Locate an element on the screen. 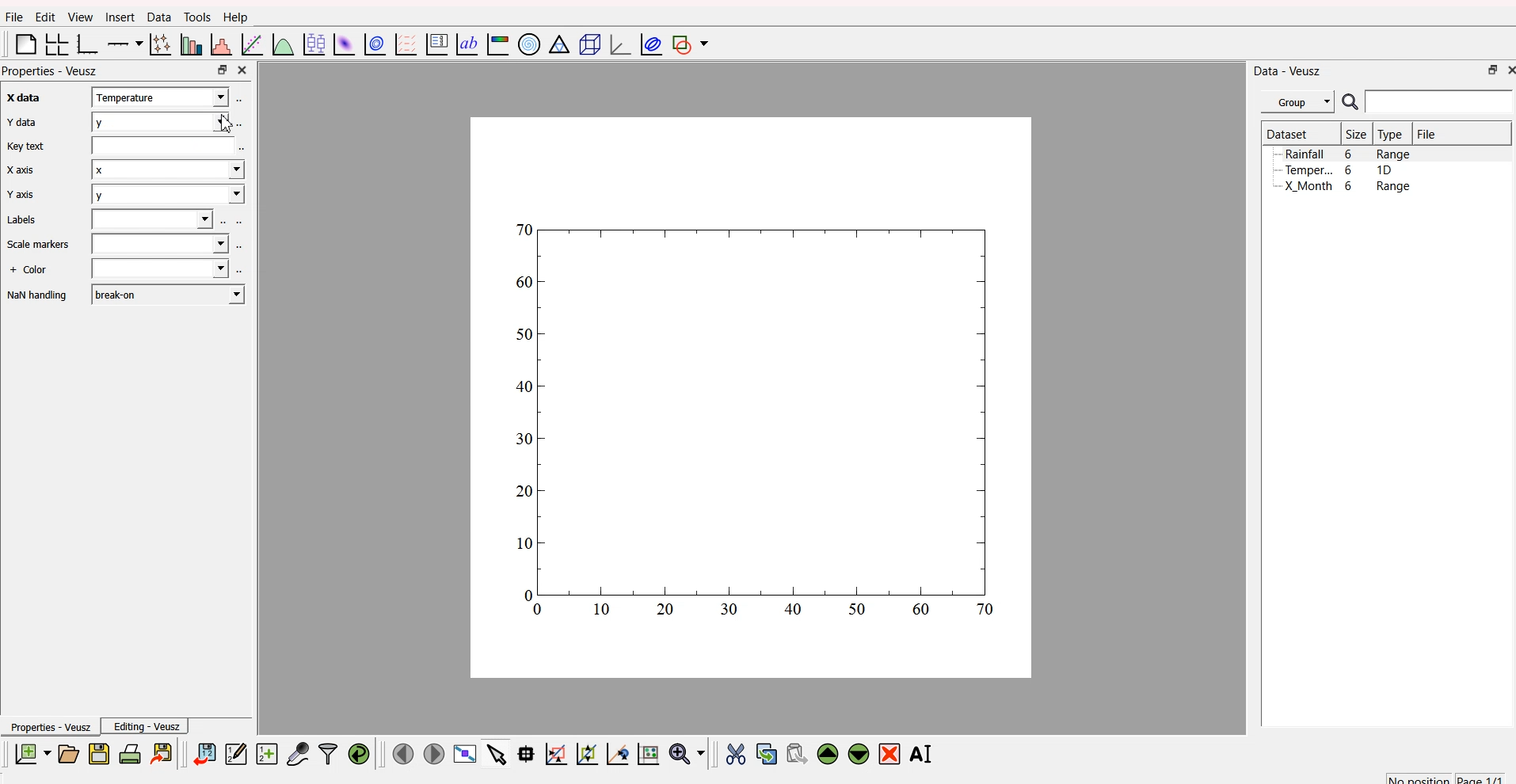  search icon is located at coordinates (1350, 102).